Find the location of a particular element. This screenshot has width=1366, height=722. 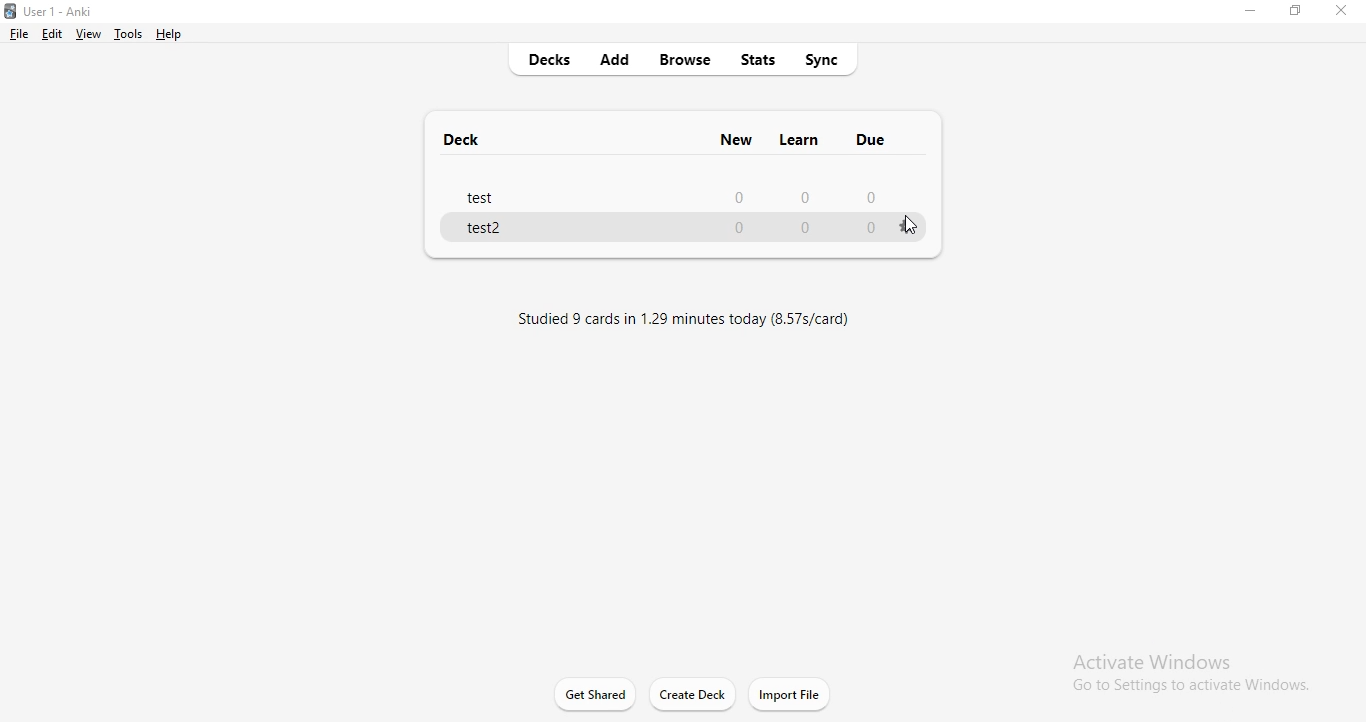

learn is located at coordinates (803, 142).